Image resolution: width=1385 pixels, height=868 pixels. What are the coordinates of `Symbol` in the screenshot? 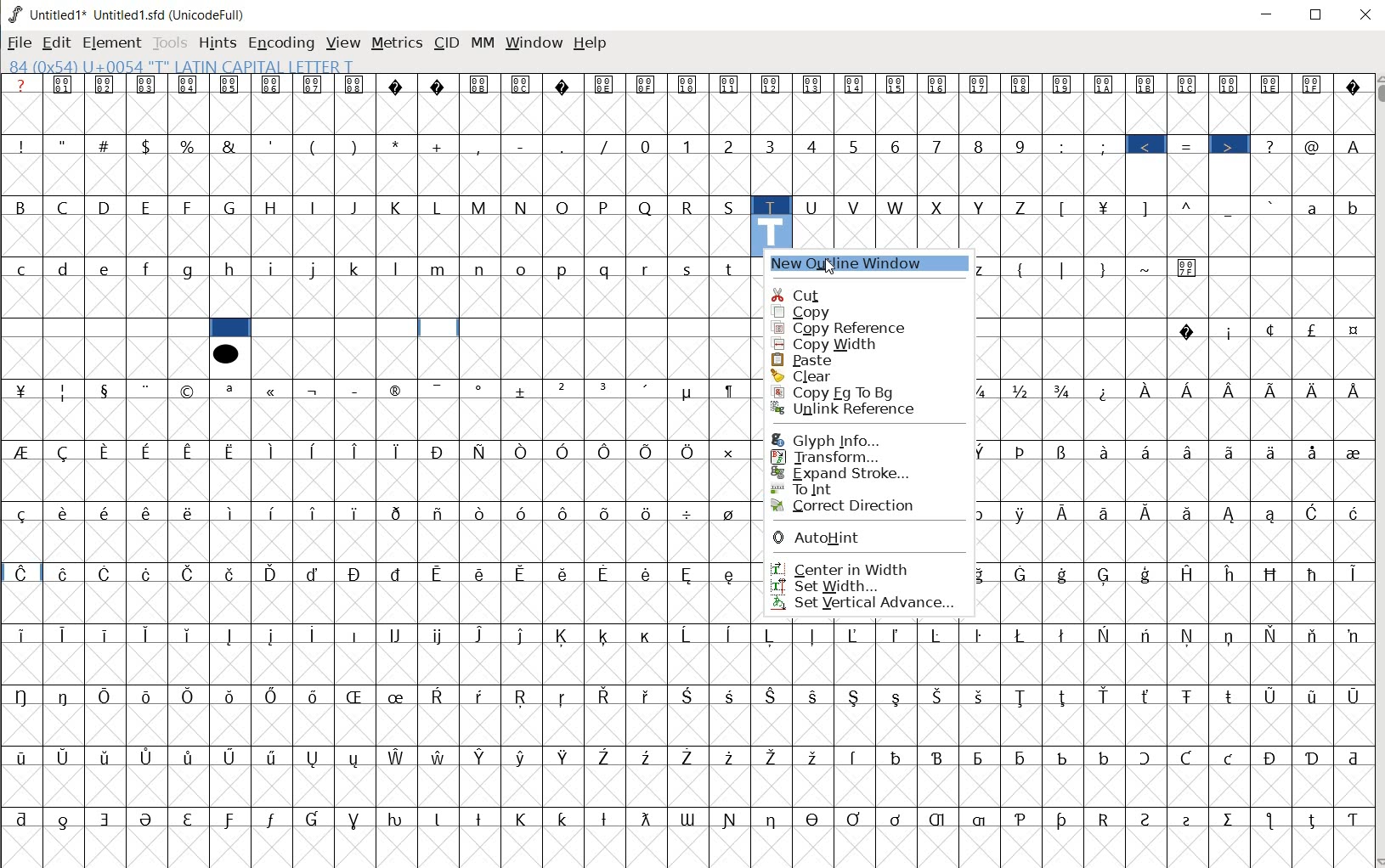 It's located at (398, 757).